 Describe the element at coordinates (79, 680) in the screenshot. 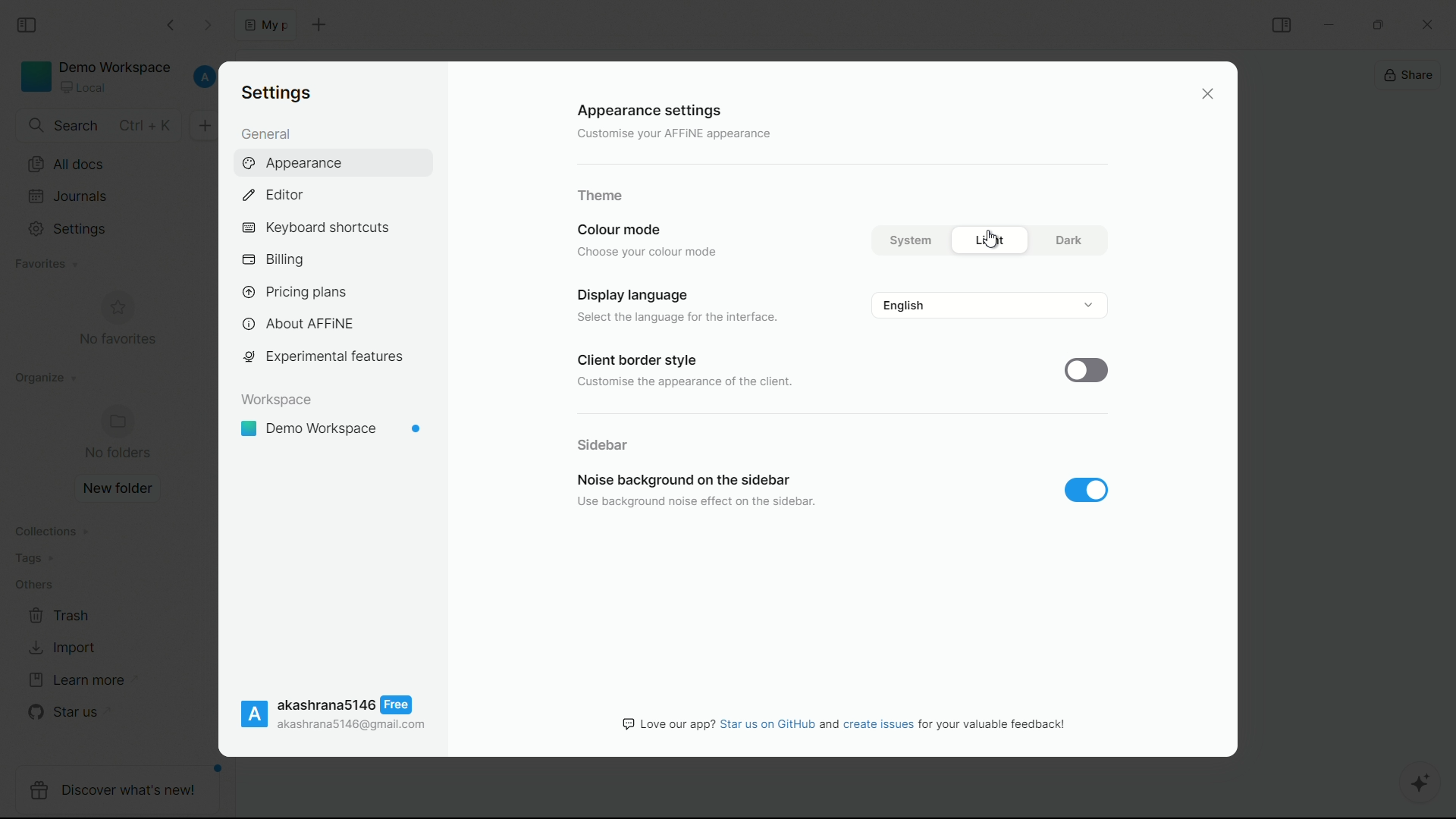

I see `learn more` at that location.